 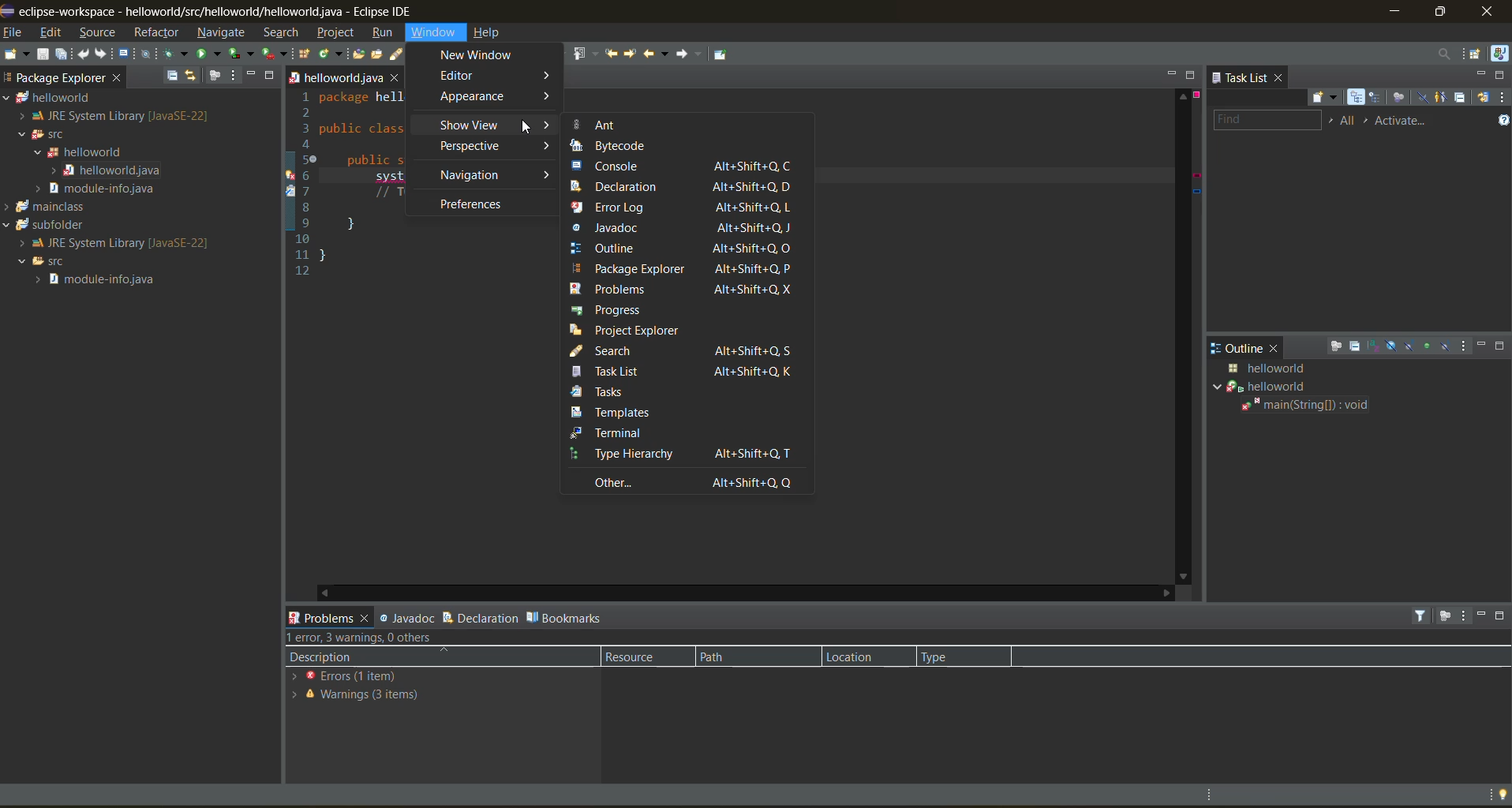 What do you see at coordinates (1482, 620) in the screenshot?
I see `minimize` at bounding box center [1482, 620].